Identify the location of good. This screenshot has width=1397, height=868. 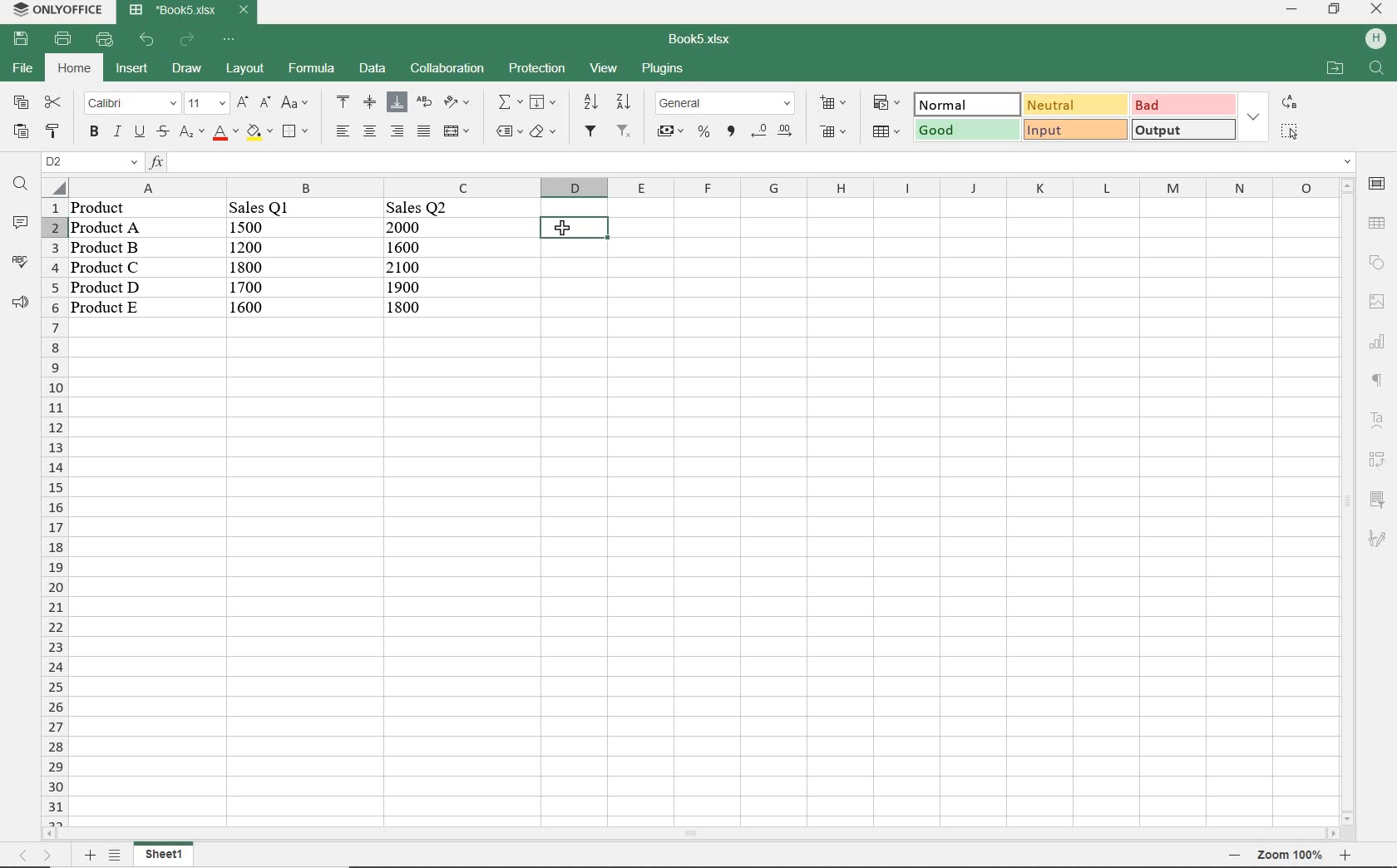
(965, 130).